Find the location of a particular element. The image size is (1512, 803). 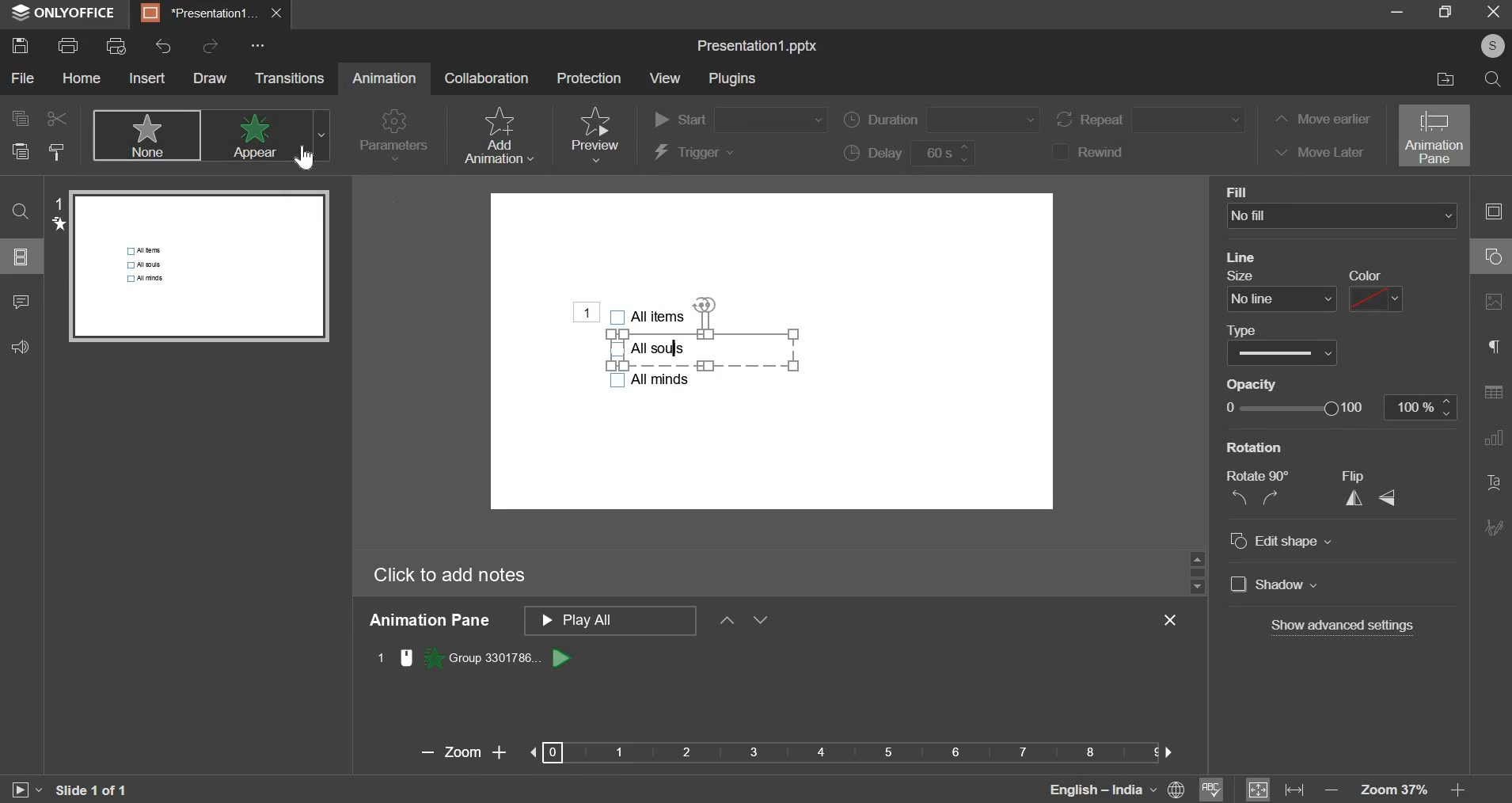

right side bar is located at coordinates (1493, 370).